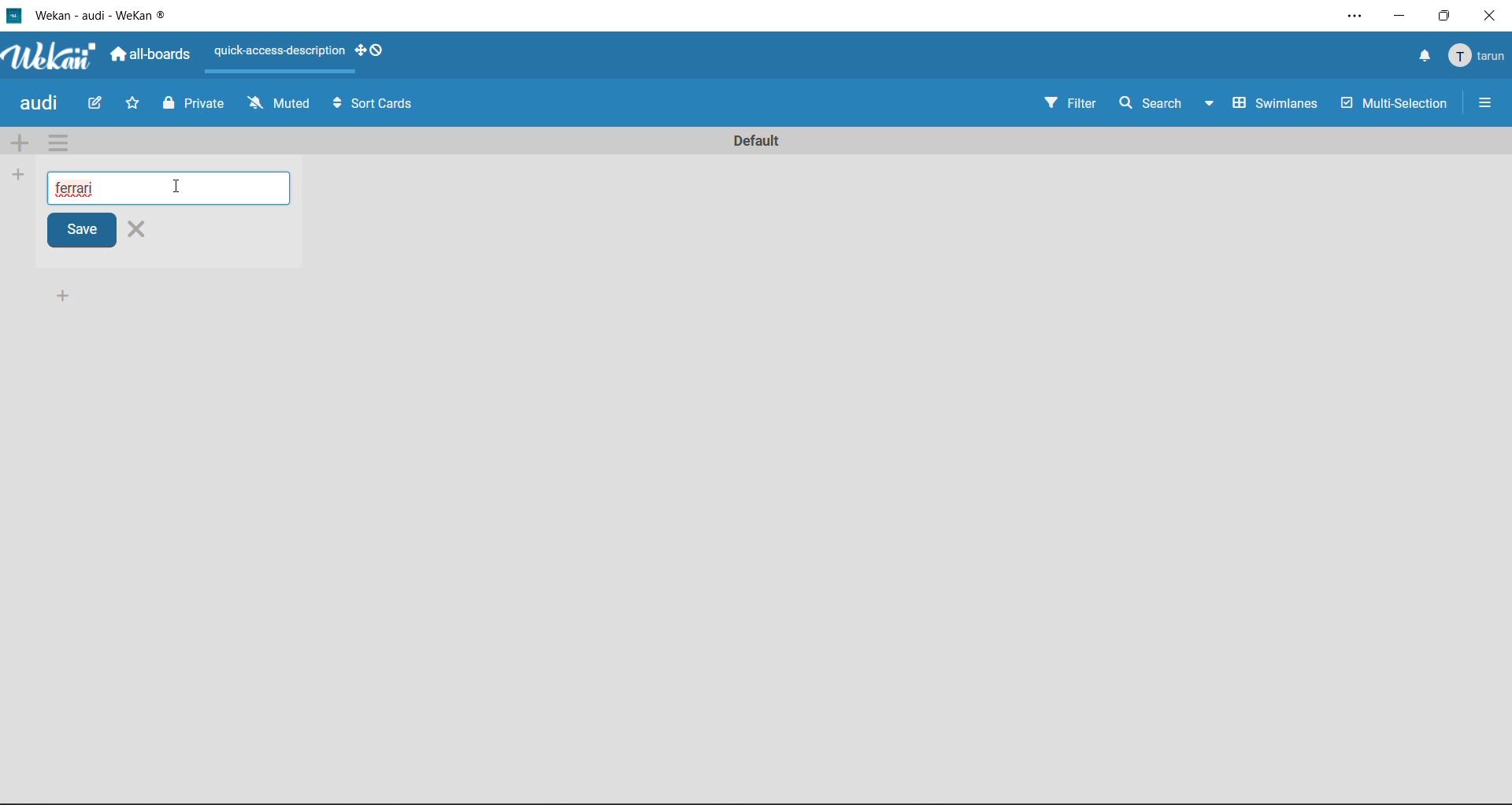 The image size is (1512, 805). Describe the element at coordinates (1147, 102) in the screenshot. I see `Search` at that location.